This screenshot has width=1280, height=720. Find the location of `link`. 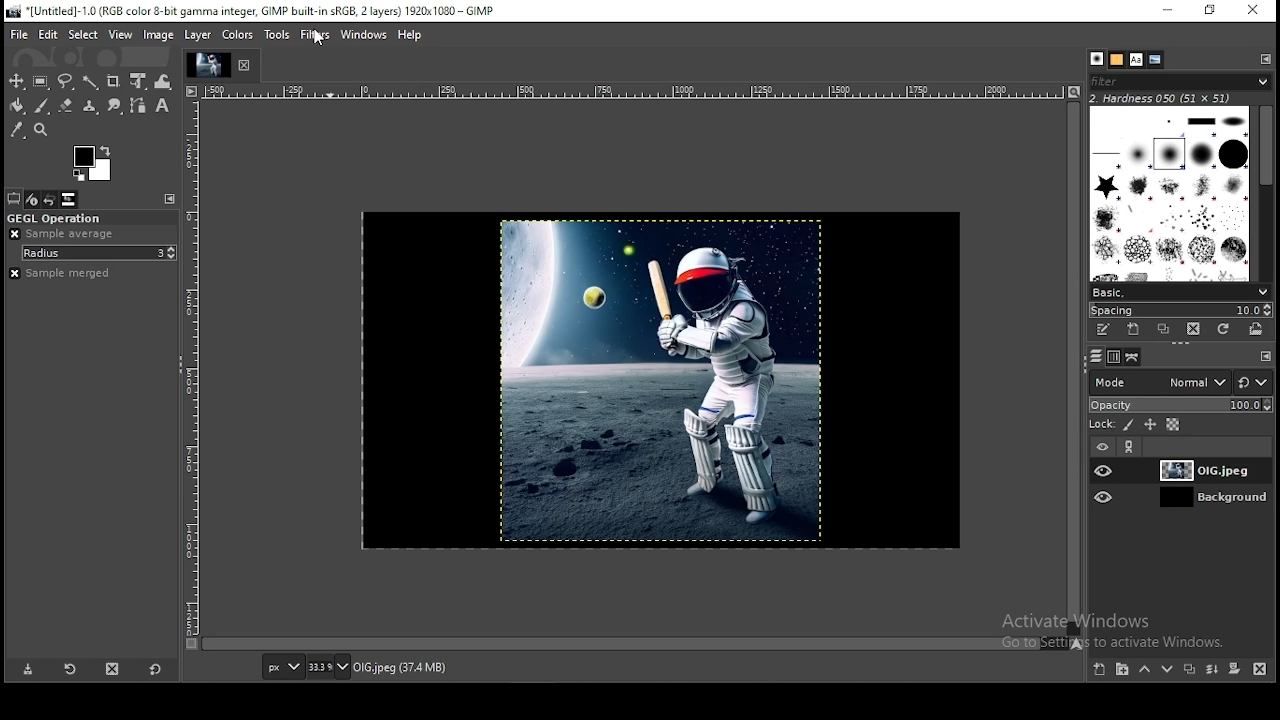

link is located at coordinates (1133, 446).